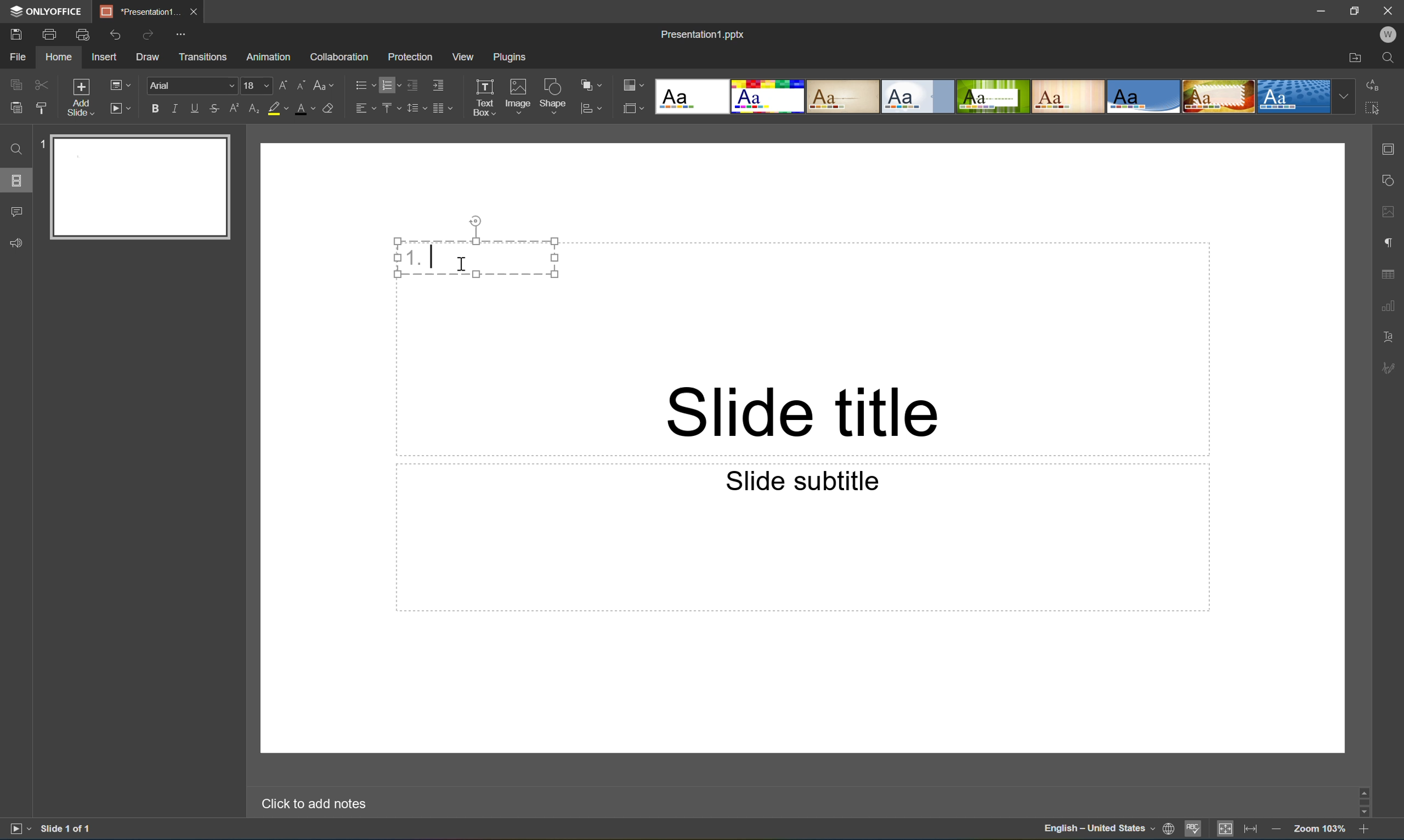 Image resolution: width=1404 pixels, height=840 pixels. I want to click on Strikethrough, so click(215, 108).